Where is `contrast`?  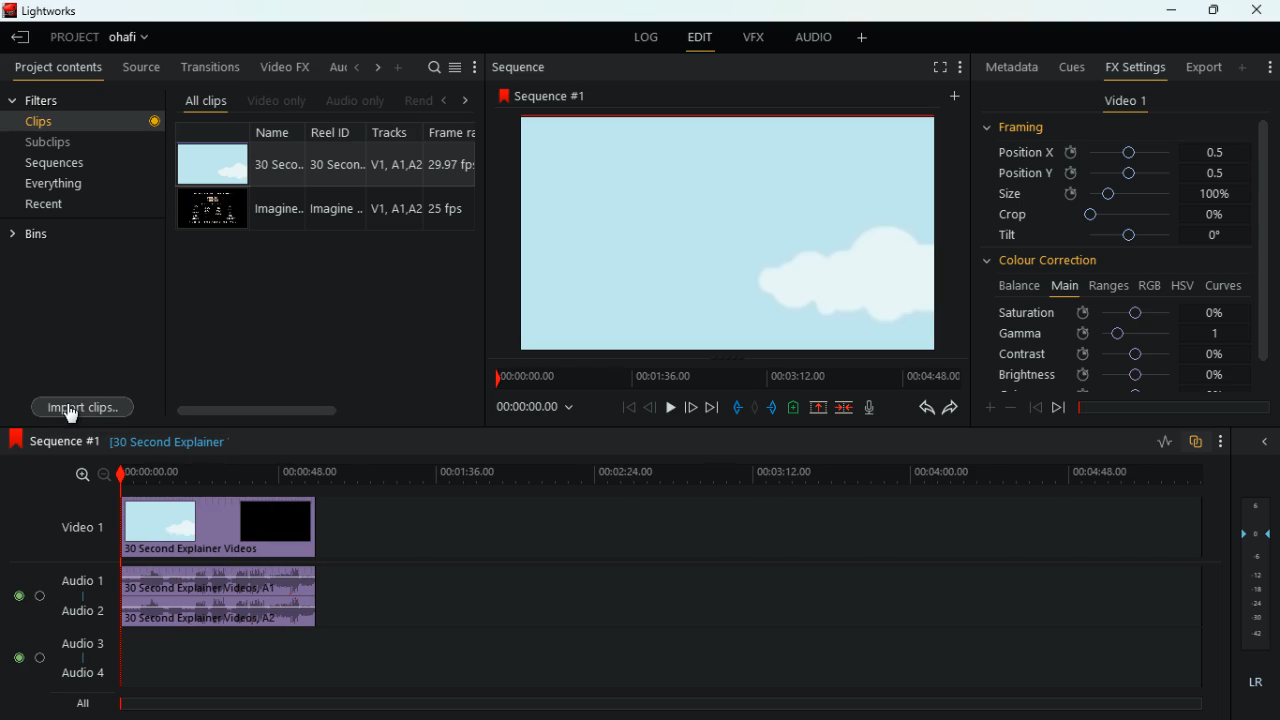
contrast is located at coordinates (1110, 355).